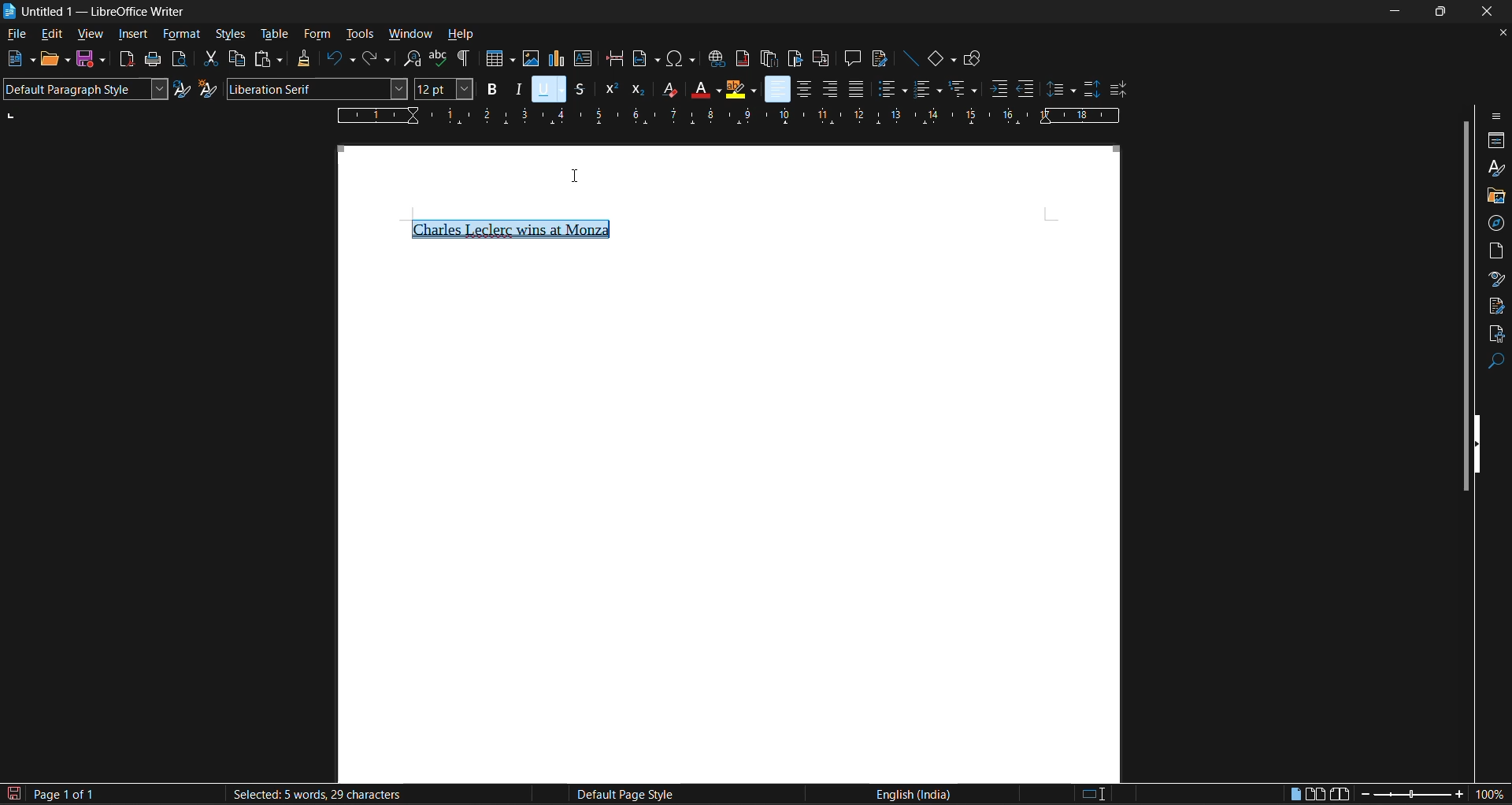  I want to click on style inspector, so click(1496, 278).